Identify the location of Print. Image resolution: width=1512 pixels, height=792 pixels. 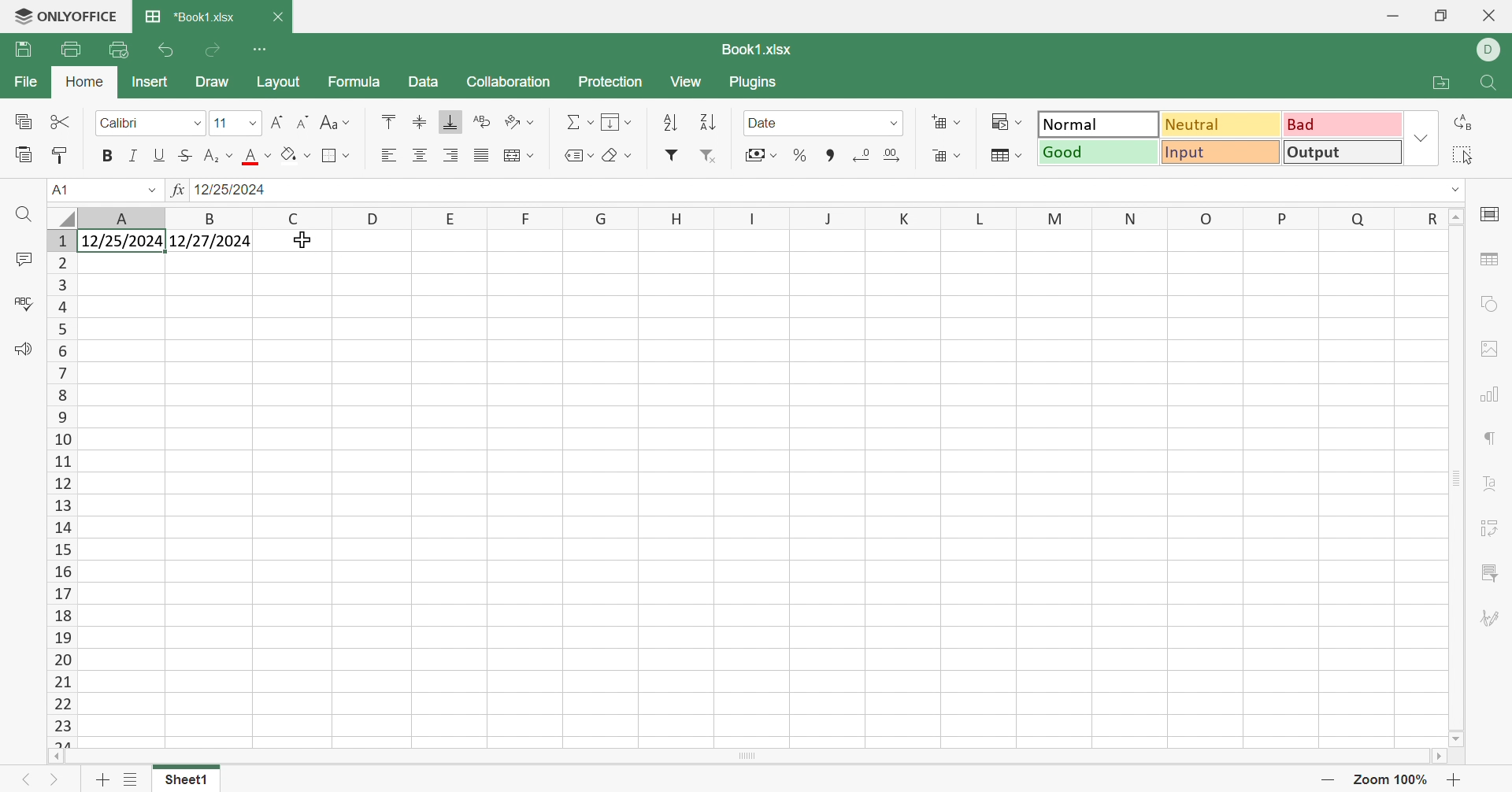
(22, 50).